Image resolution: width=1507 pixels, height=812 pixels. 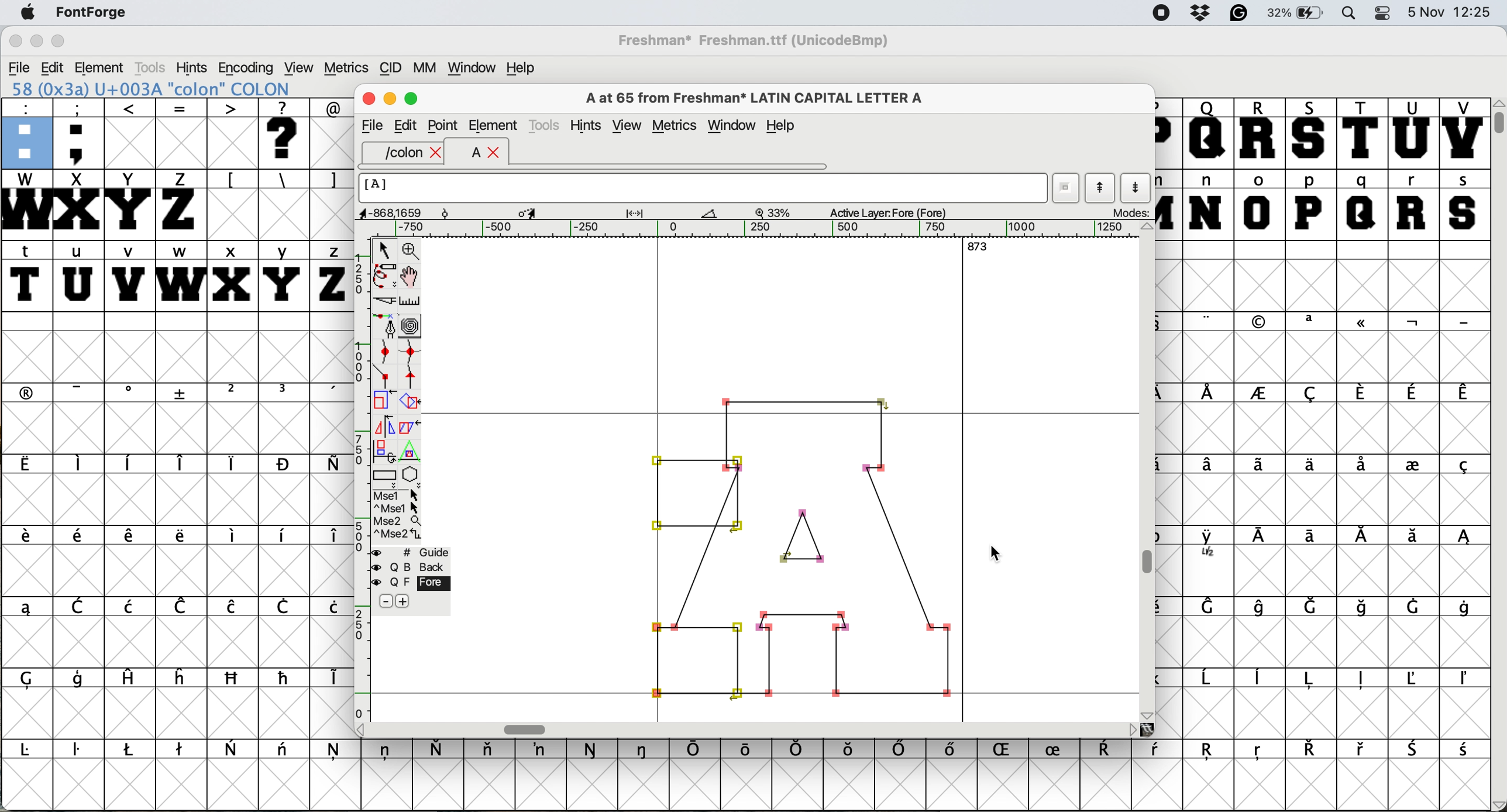 I want to click on Mse2, so click(x=397, y=519).